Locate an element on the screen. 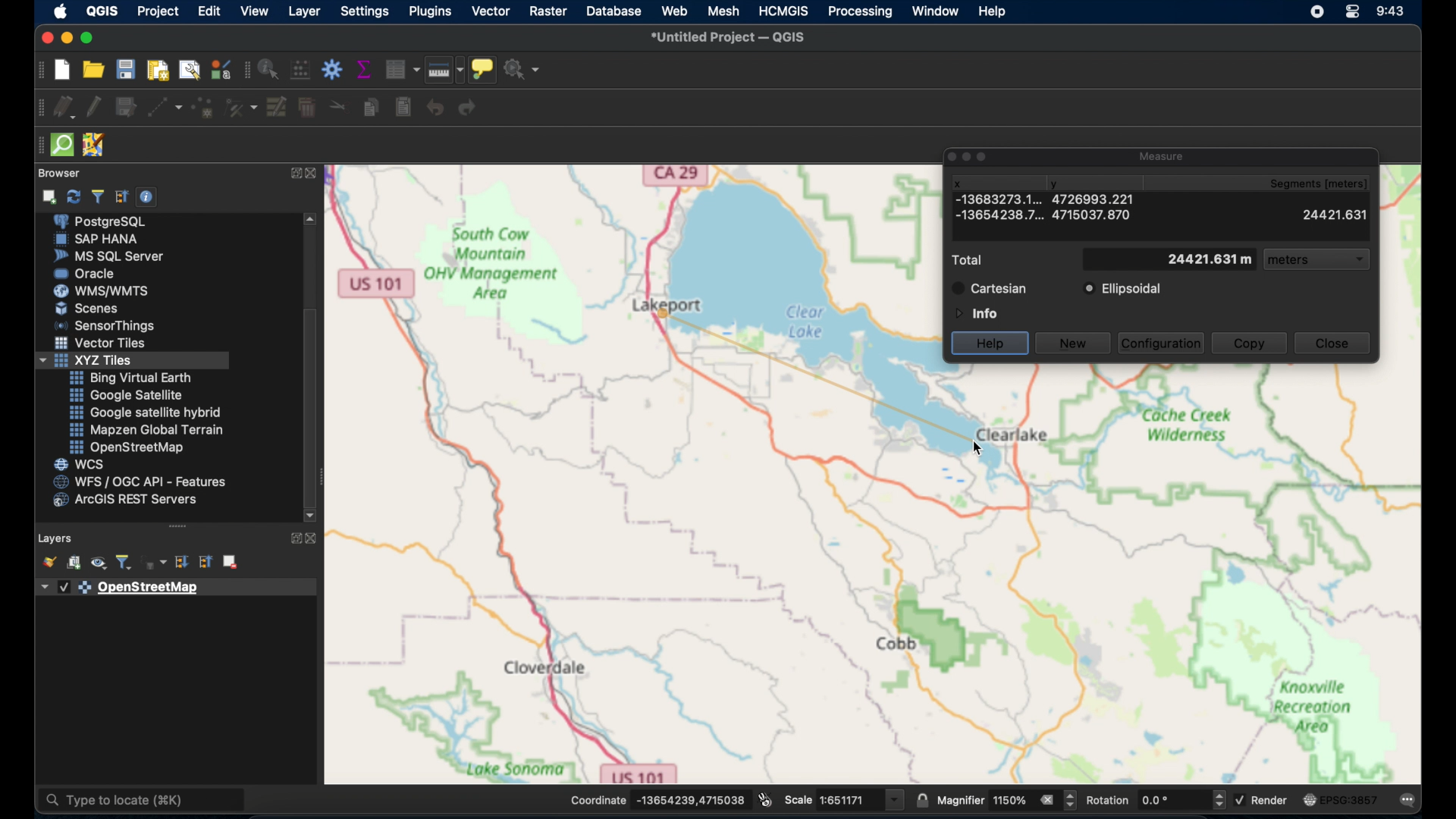 This screenshot has width=1456, height=819. digitize with segment is located at coordinates (165, 109).